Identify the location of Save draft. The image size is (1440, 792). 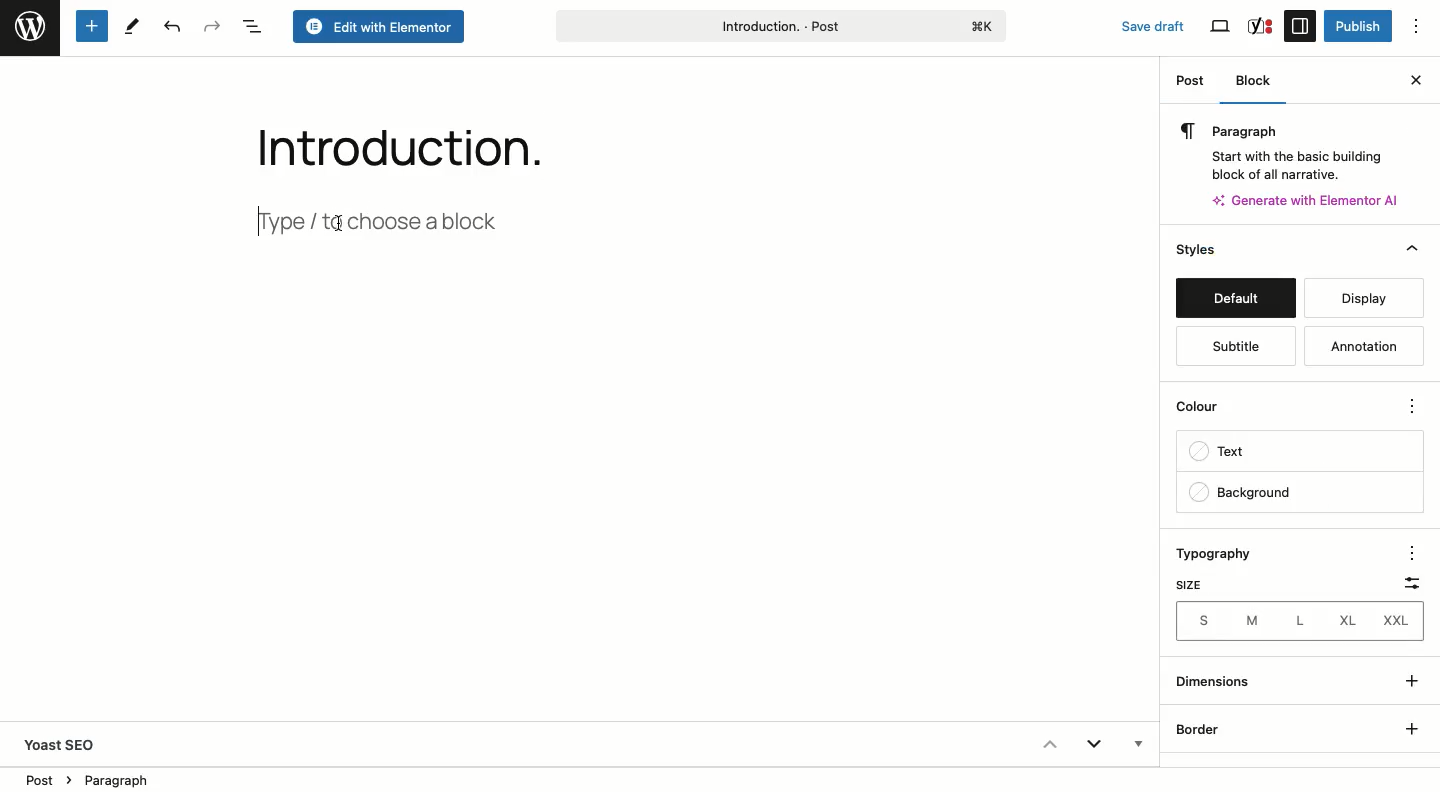
(1142, 22).